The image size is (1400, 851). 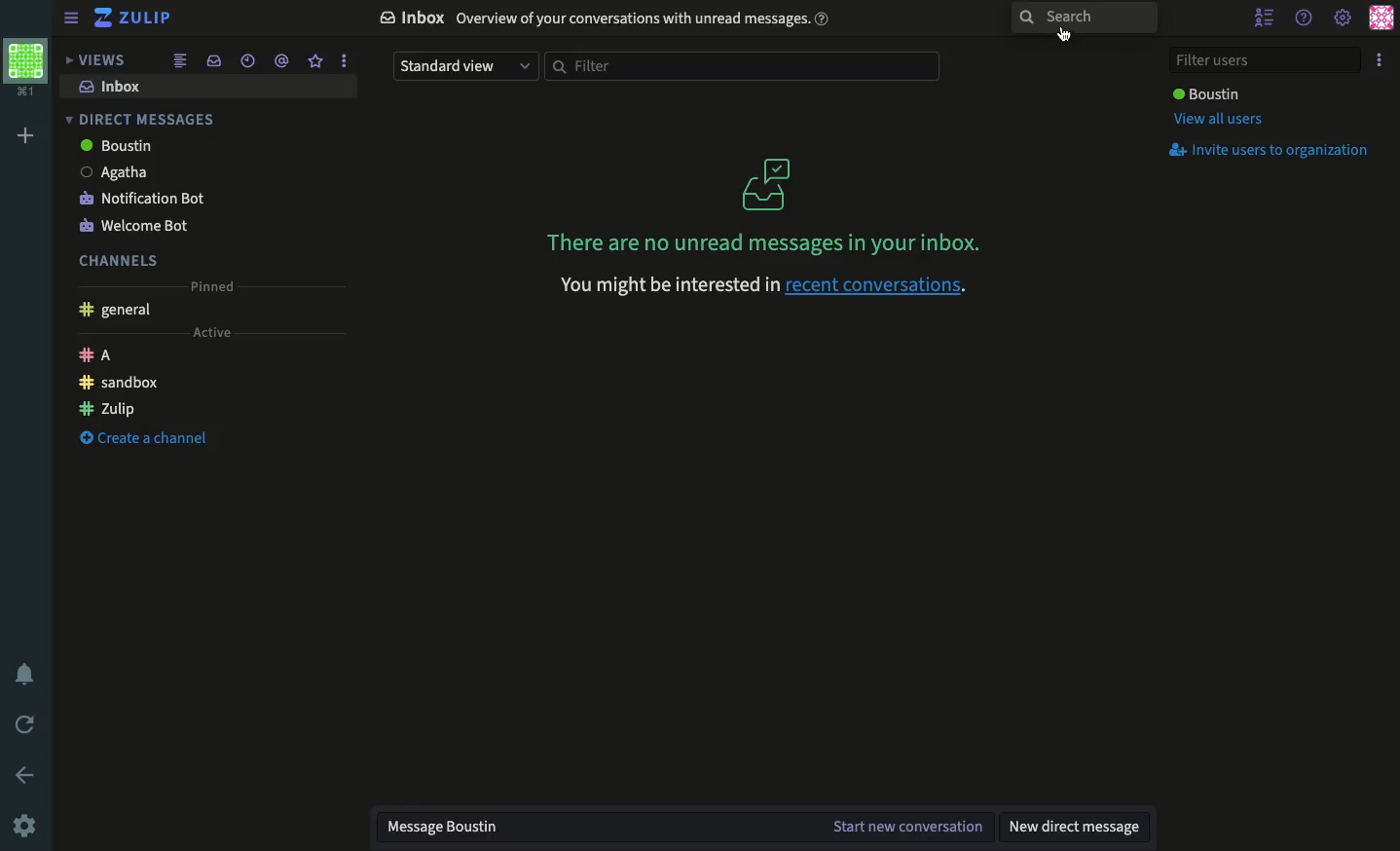 I want to click on Add, so click(x=24, y=136).